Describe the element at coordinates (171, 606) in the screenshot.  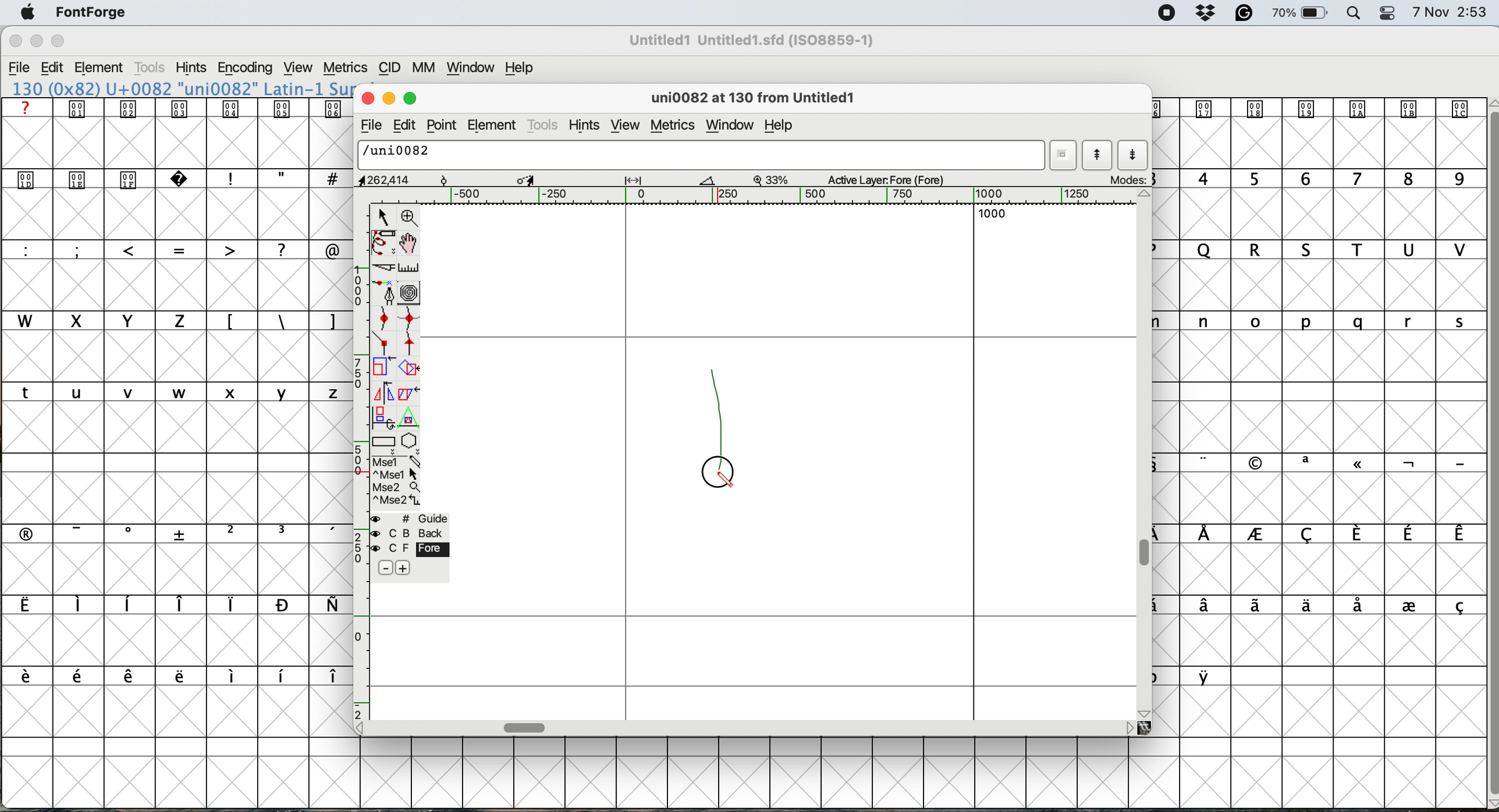
I see `special characters` at that location.